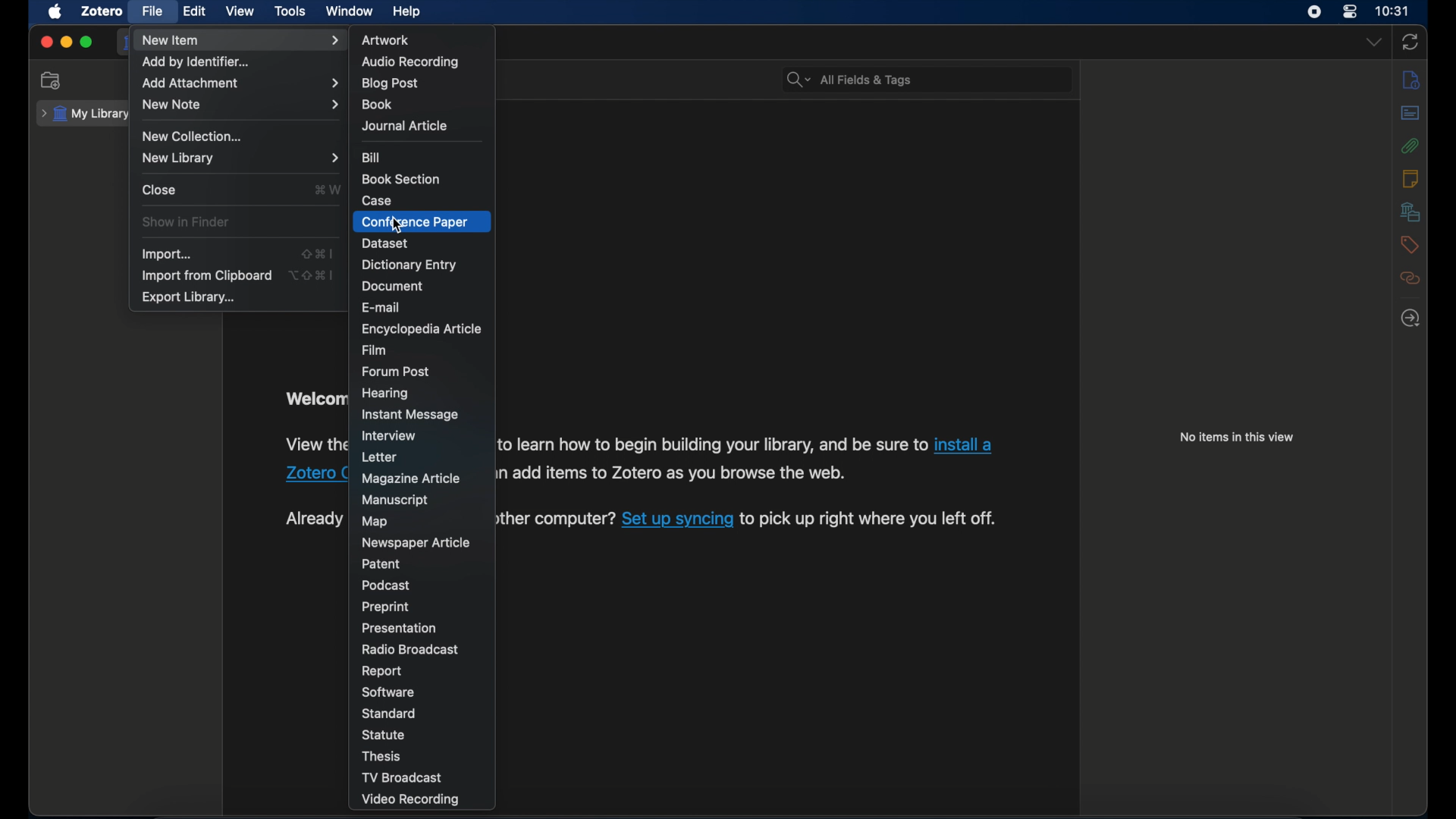  Describe the element at coordinates (65, 42) in the screenshot. I see `minimize` at that location.